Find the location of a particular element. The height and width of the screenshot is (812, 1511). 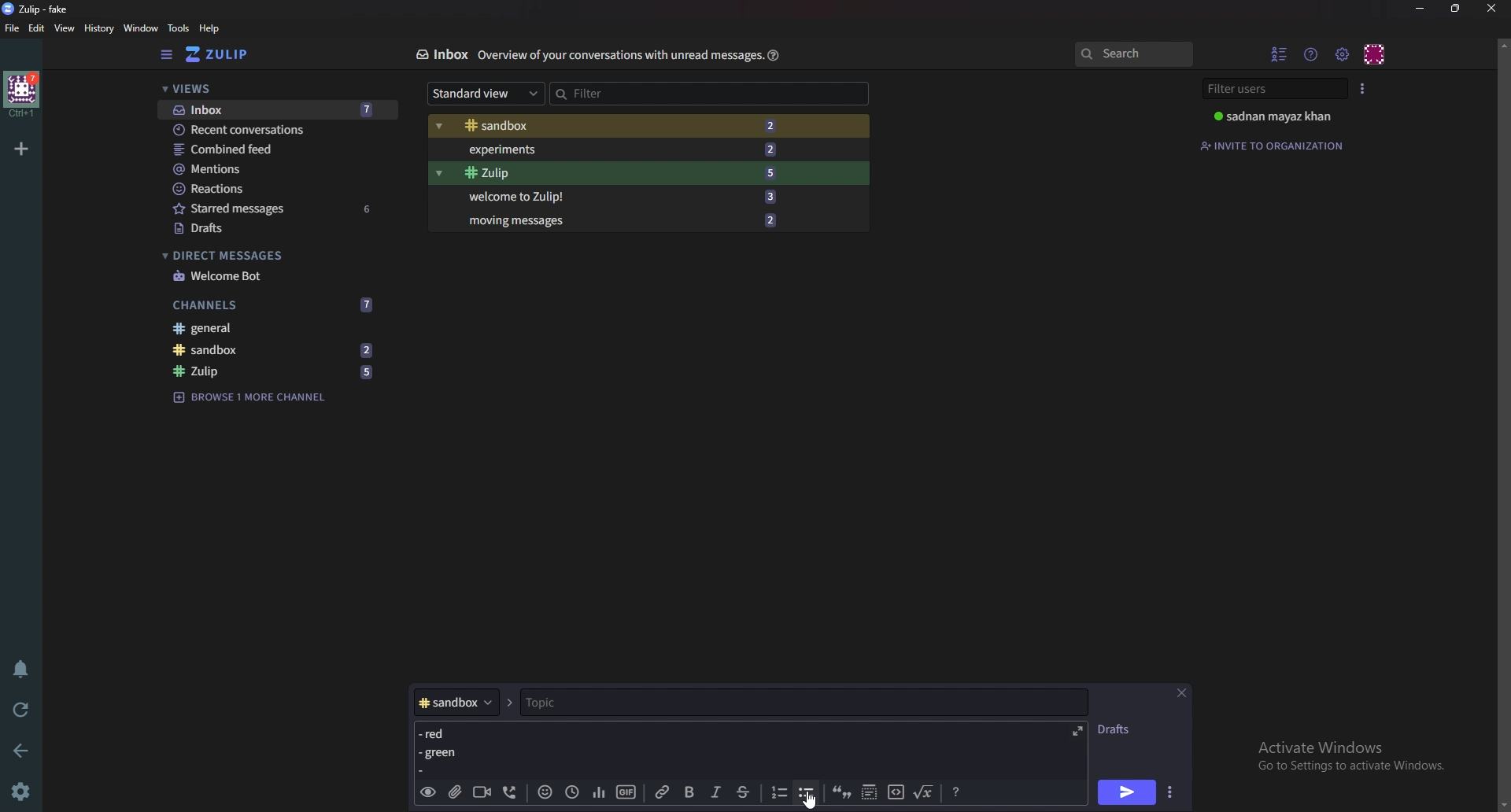

Emoji is located at coordinates (545, 791).